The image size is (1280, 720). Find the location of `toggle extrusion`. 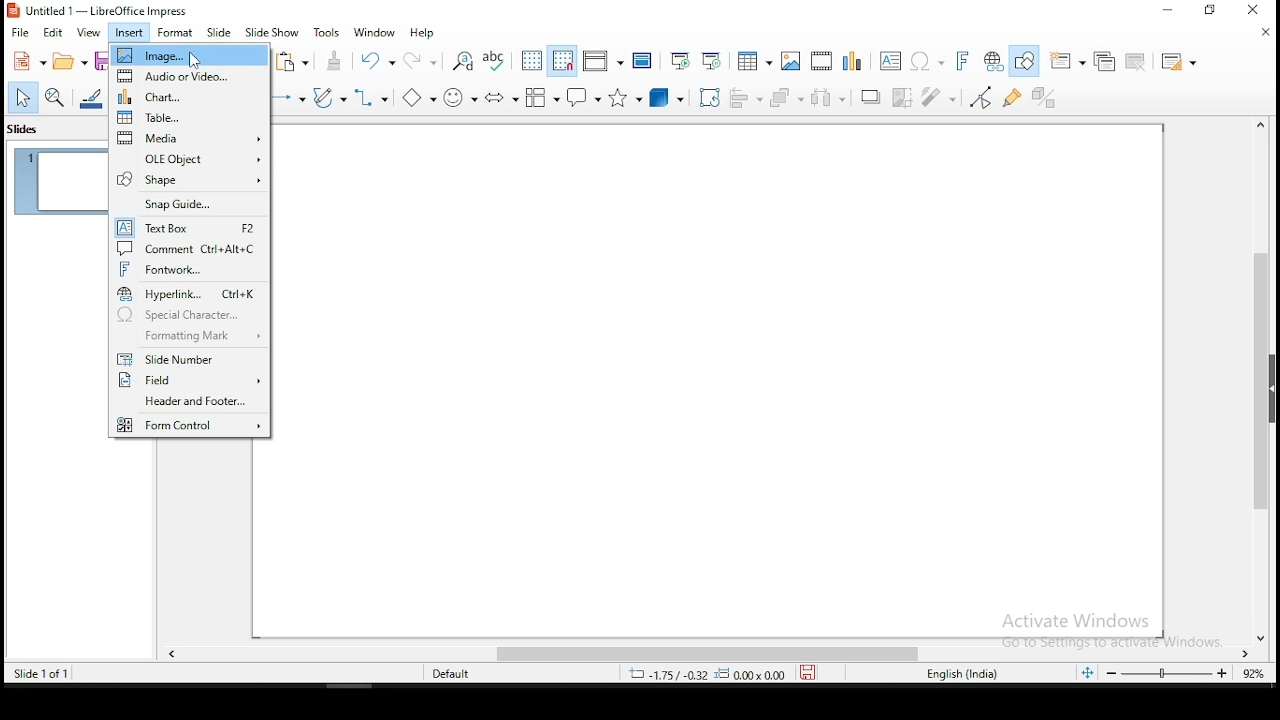

toggle extrusion is located at coordinates (1045, 99).